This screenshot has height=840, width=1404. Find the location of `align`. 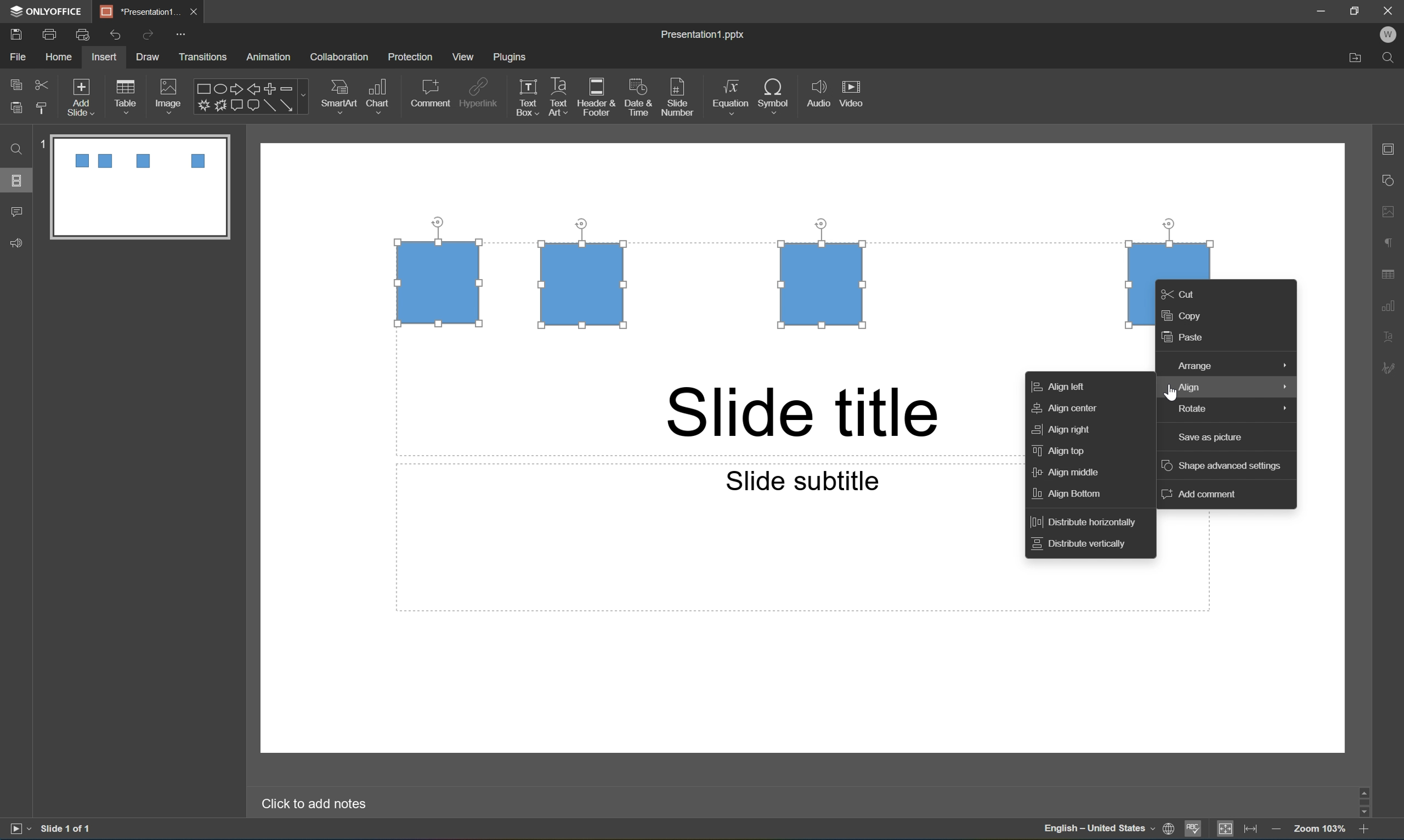

align is located at coordinates (1225, 388).